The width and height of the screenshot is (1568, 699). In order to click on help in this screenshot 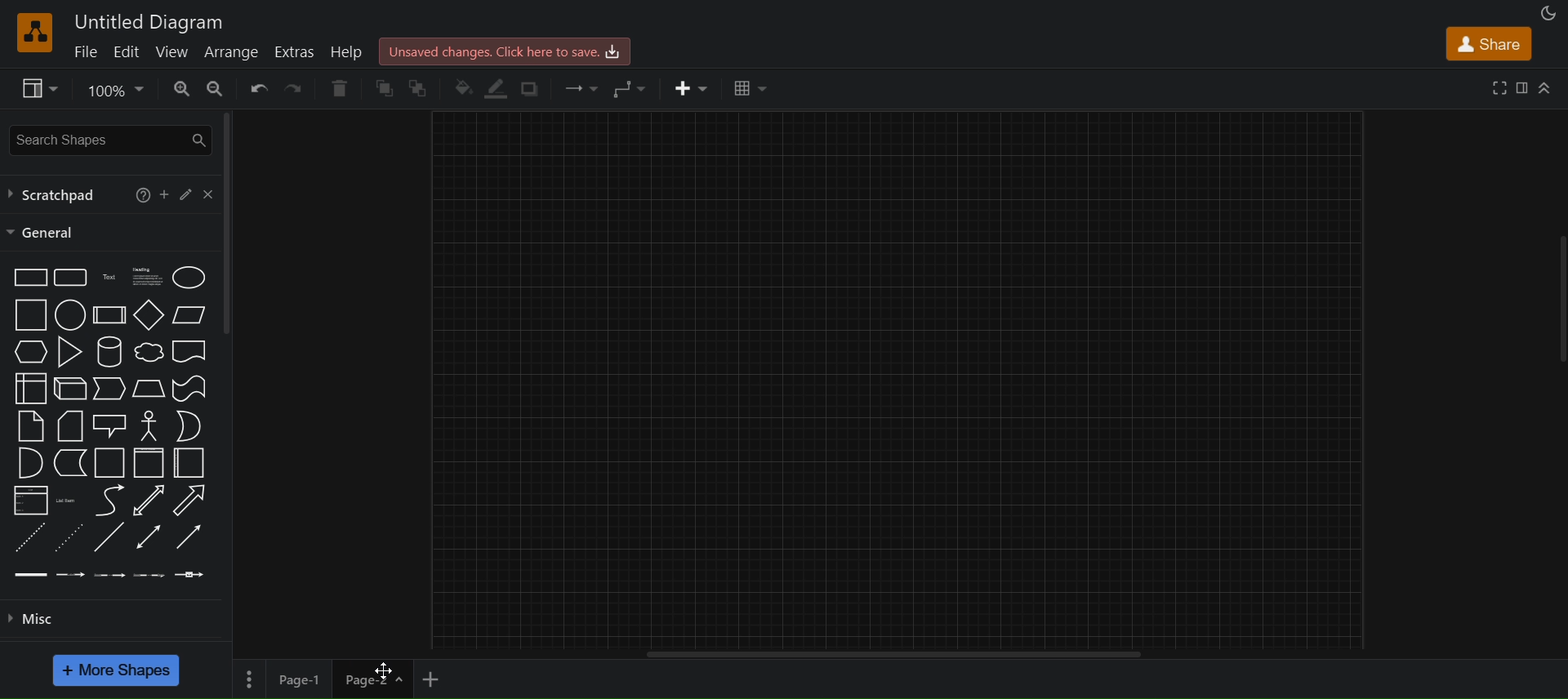, I will do `click(349, 51)`.